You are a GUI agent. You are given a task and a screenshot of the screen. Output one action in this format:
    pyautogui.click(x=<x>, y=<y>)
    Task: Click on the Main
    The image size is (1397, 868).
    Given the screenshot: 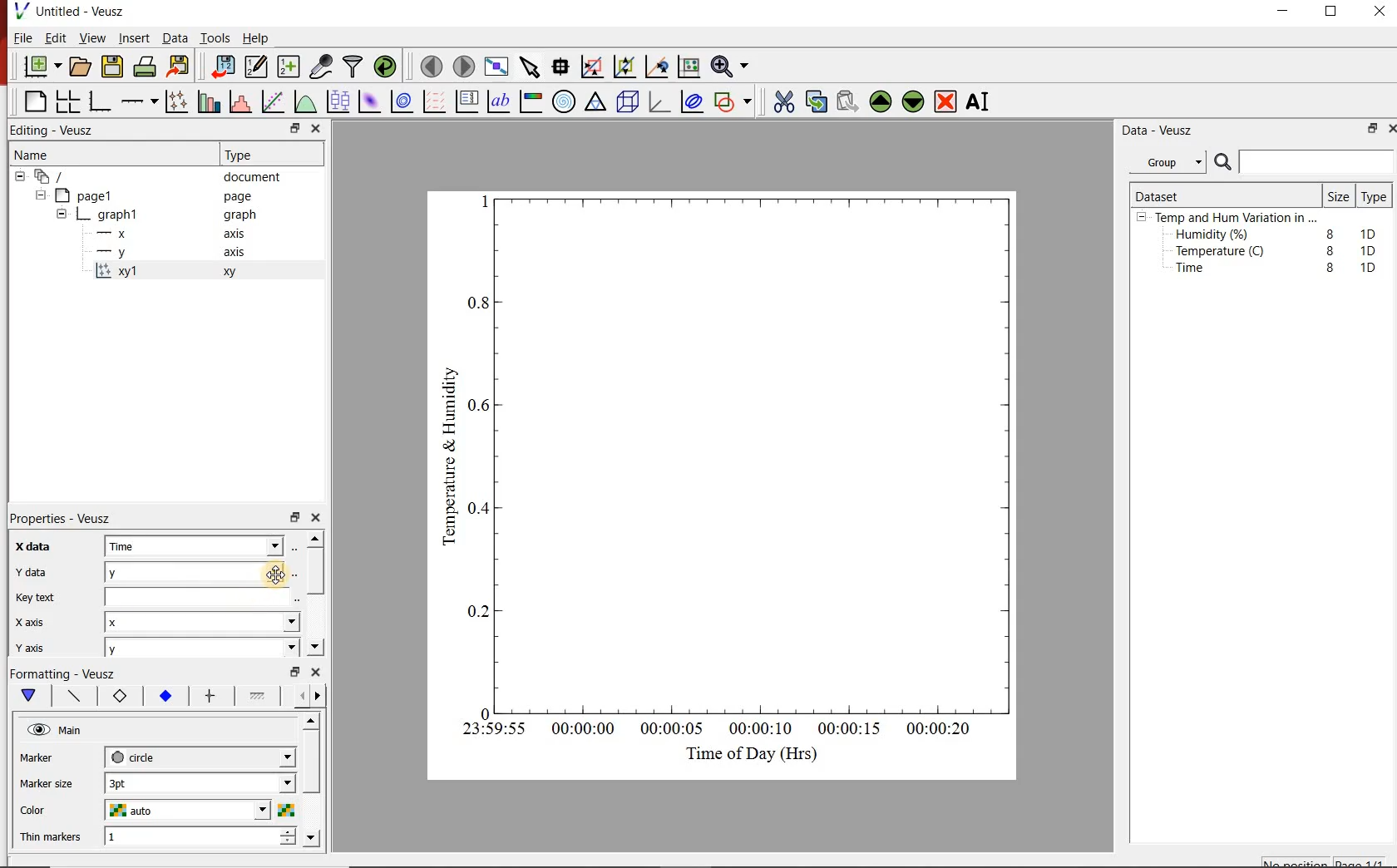 What is the action you would take?
    pyautogui.click(x=82, y=732)
    